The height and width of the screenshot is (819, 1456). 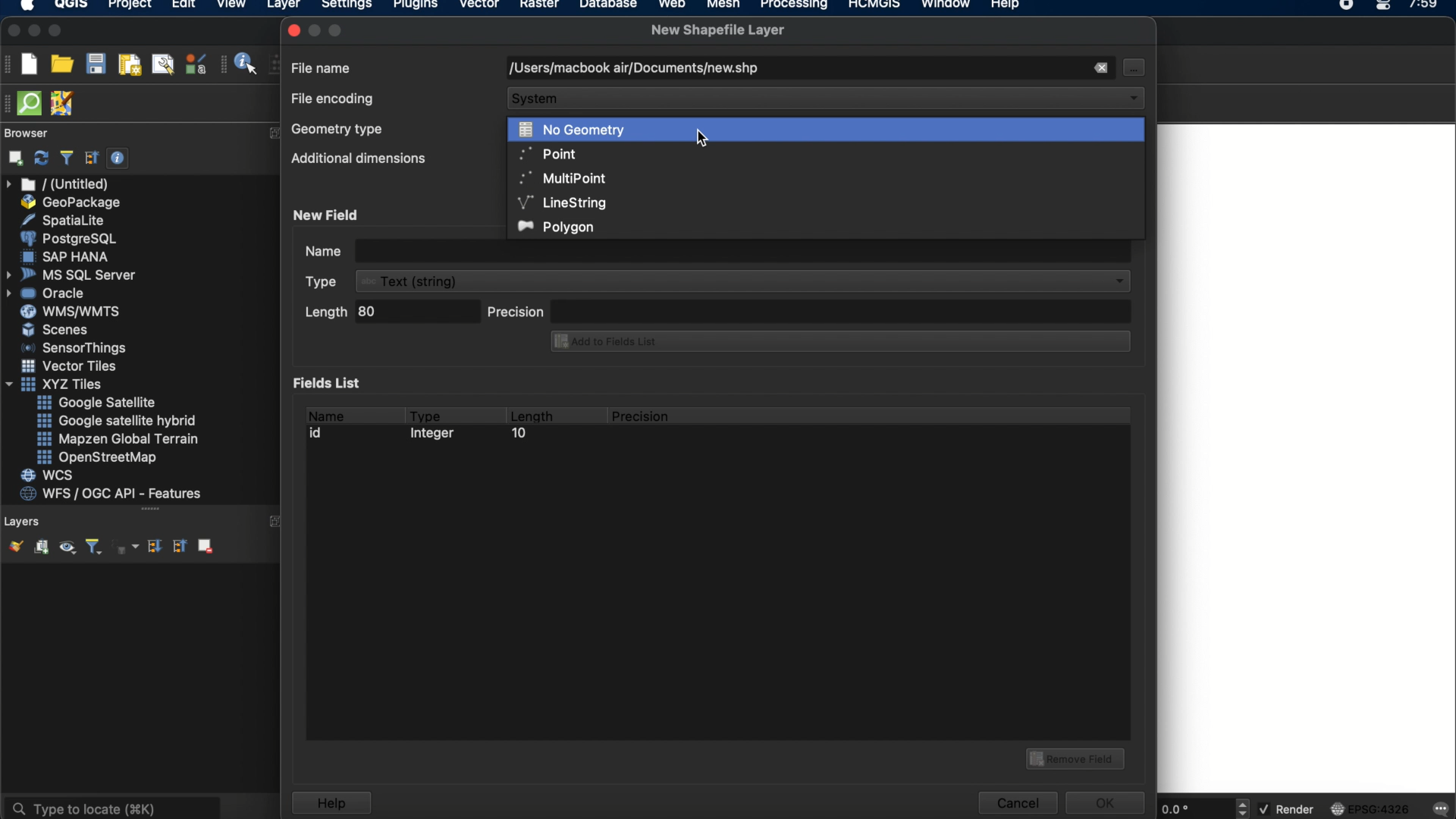 What do you see at coordinates (163, 64) in the screenshot?
I see `show layout` at bounding box center [163, 64].